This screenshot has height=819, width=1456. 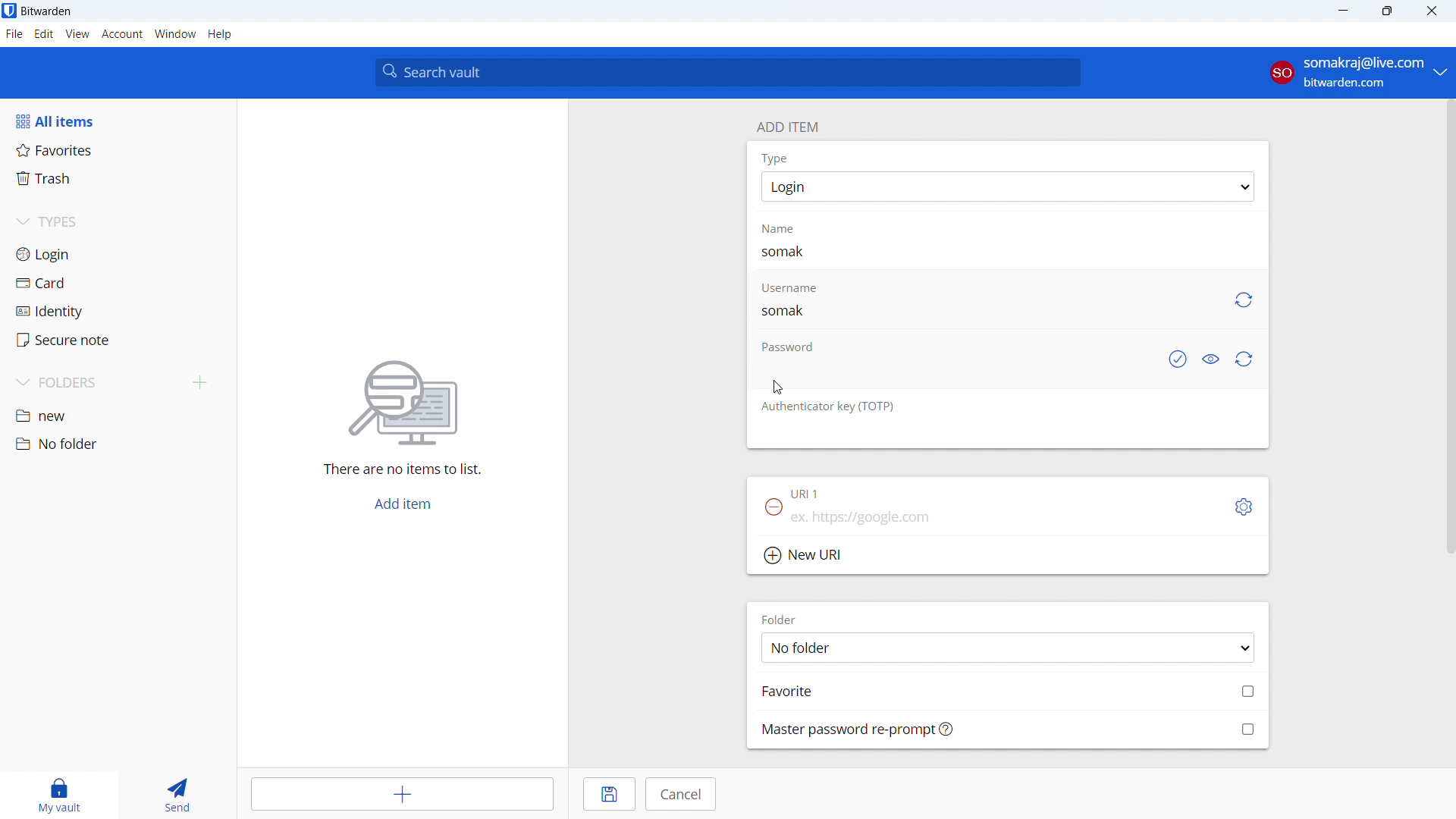 What do you see at coordinates (55, 795) in the screenshot?
I see `my vault` at bounding box center [55, 795].